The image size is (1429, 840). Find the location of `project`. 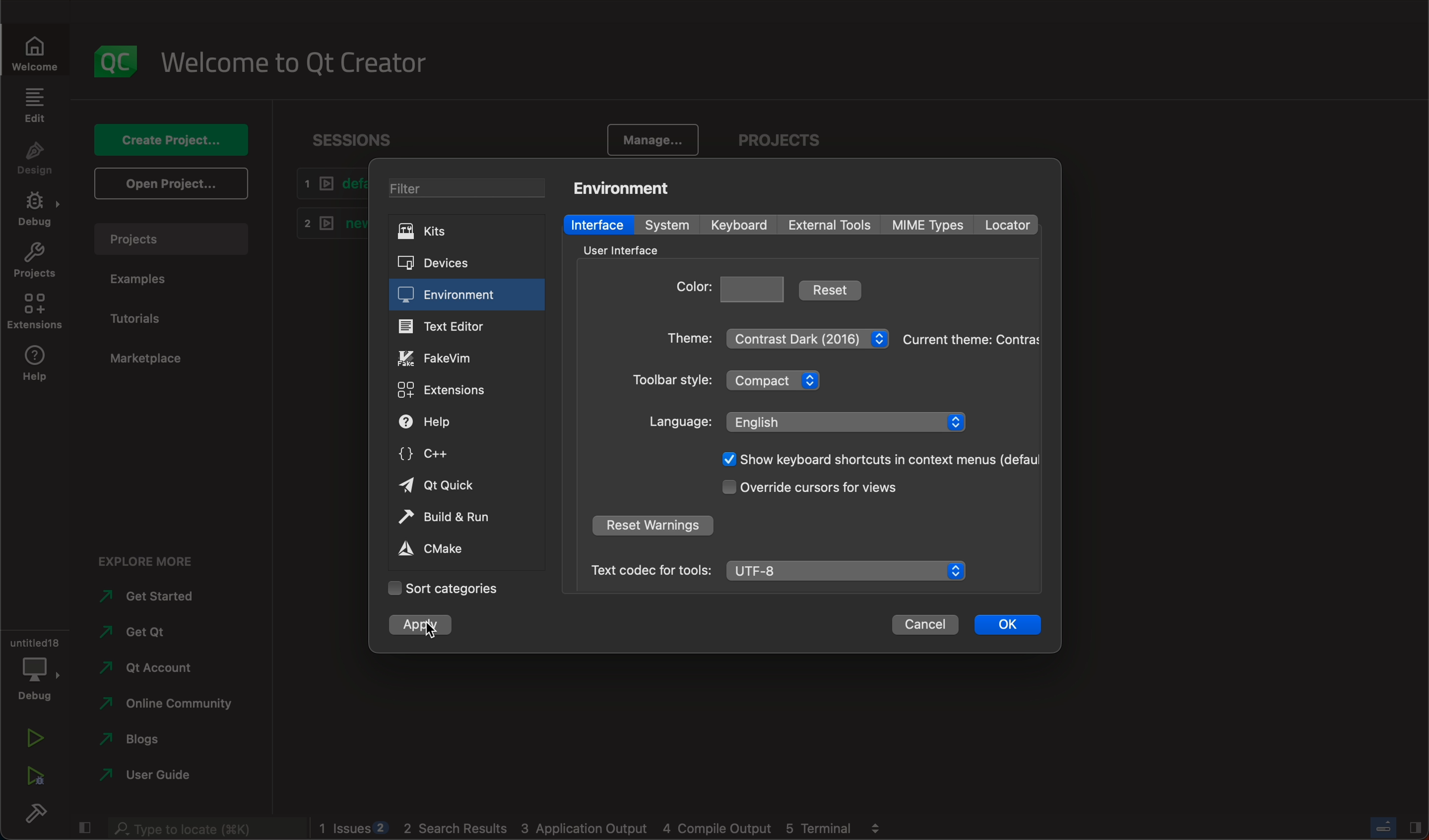

project is located at coordinates (173, 243).